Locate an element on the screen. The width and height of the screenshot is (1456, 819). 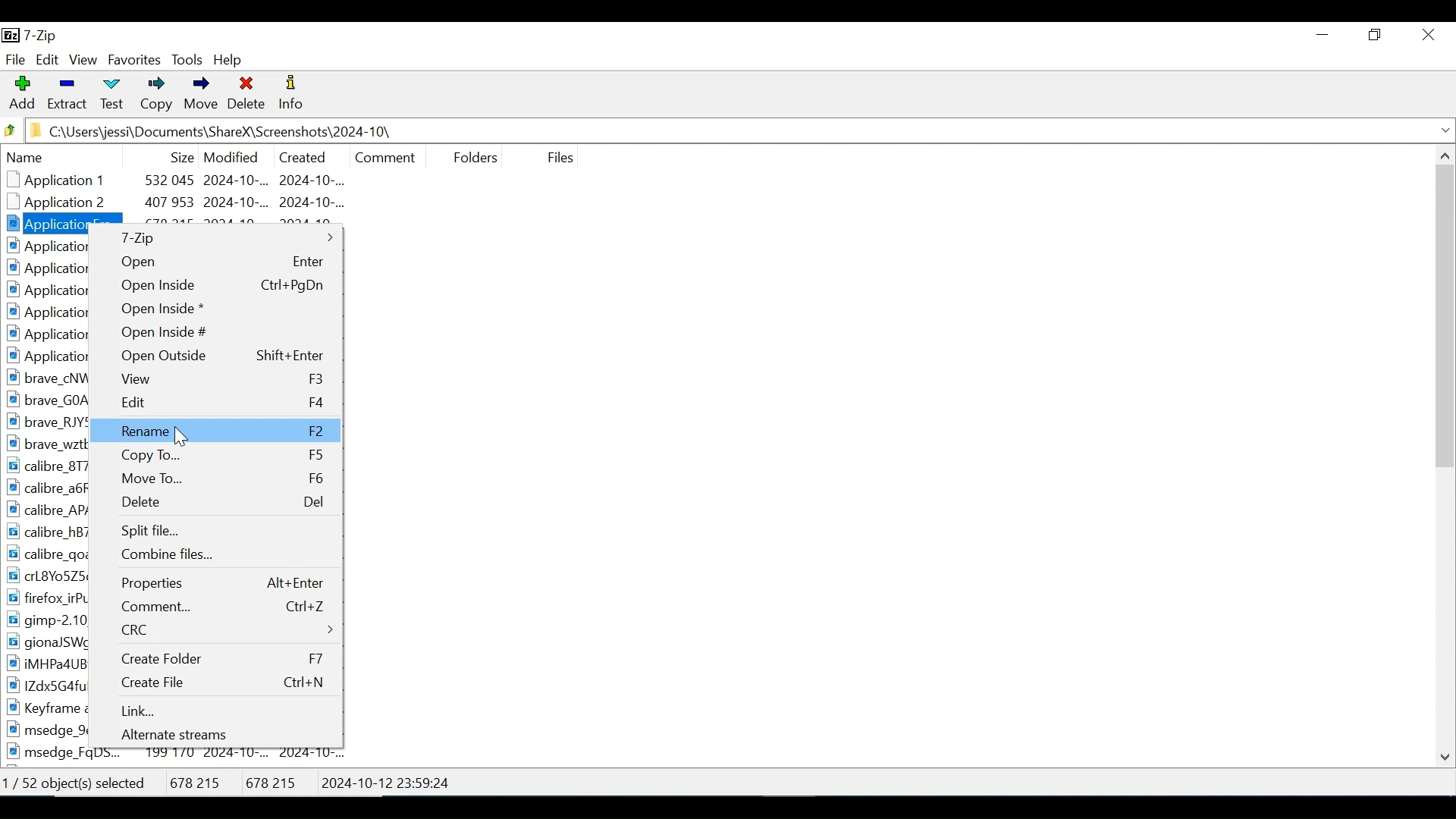
Create Folder is located at coordinates (216, 657).